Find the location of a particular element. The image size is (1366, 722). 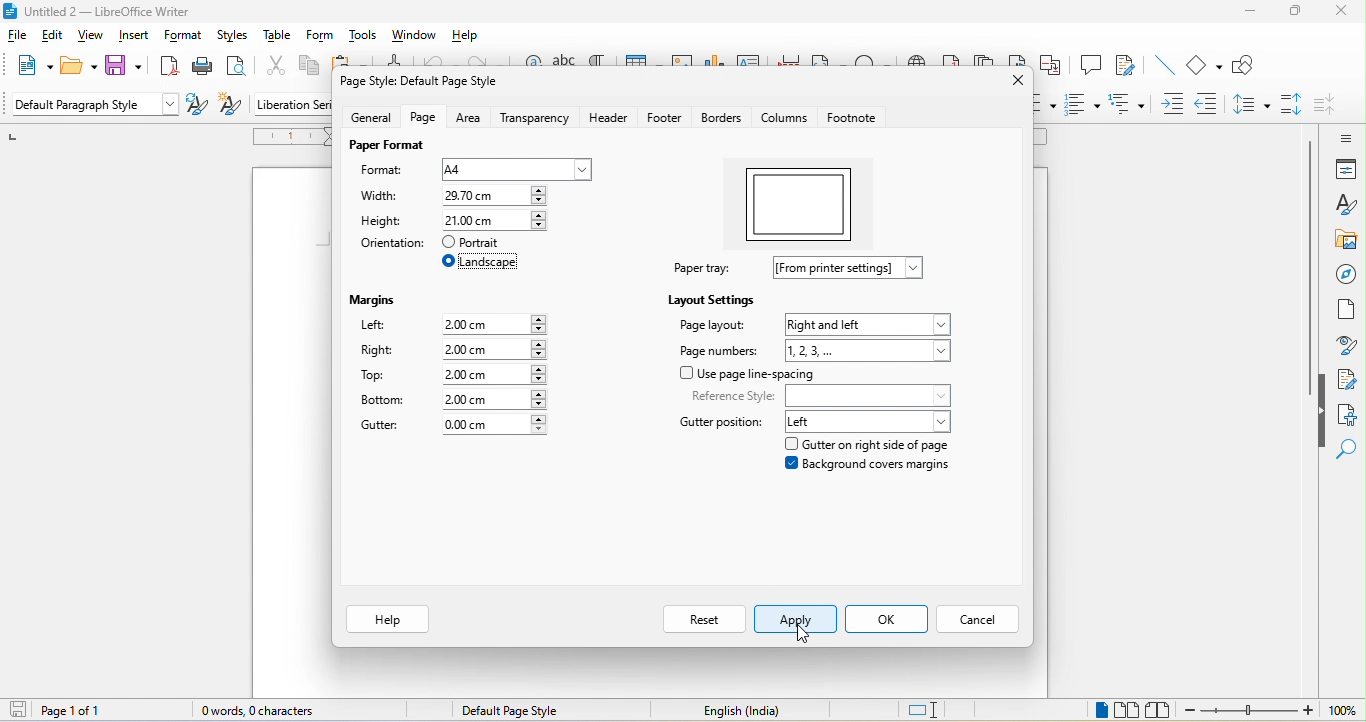

right is located at coordinates (379, 353).